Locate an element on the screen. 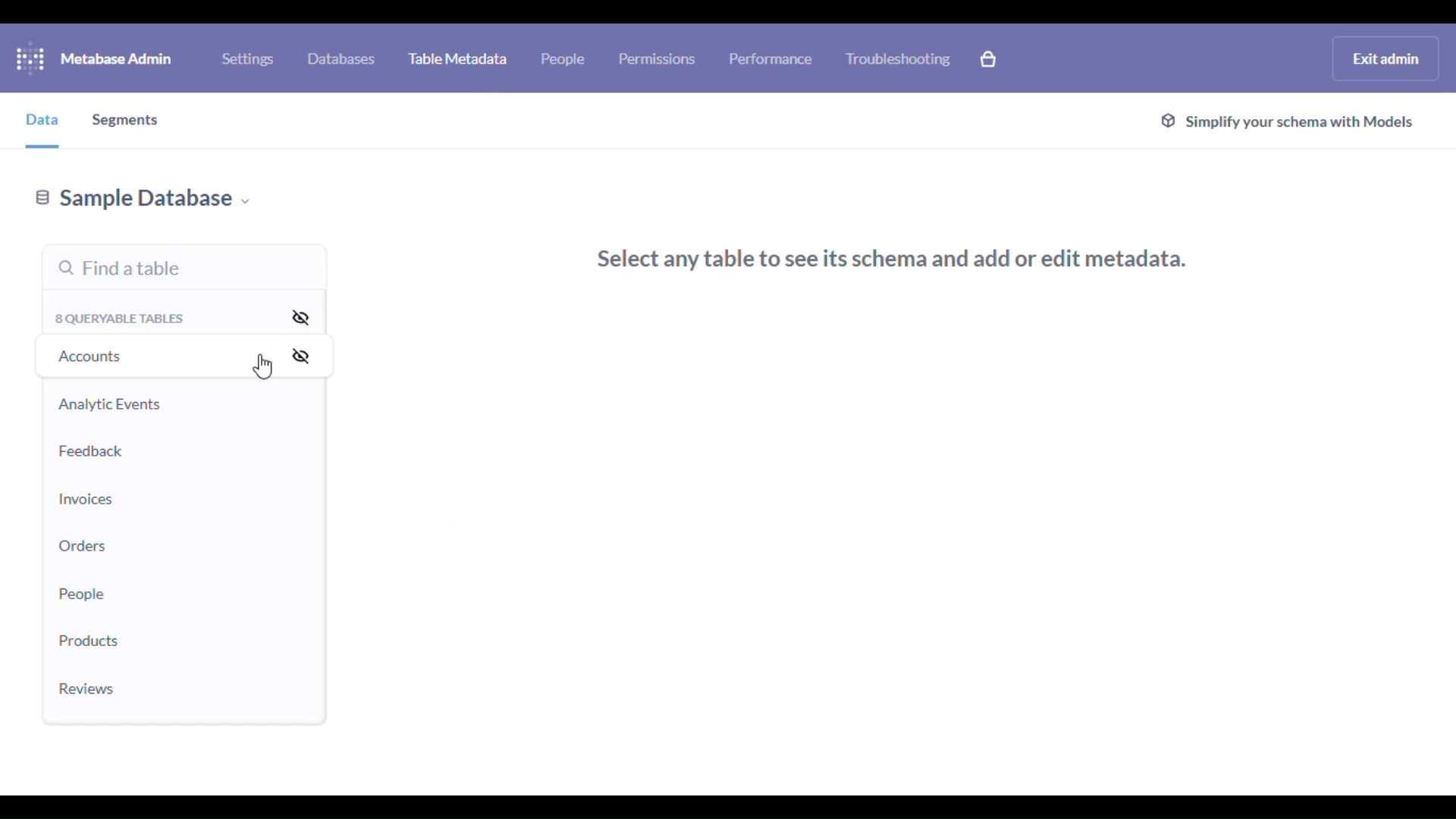  table metadata is located at coordinates (458, 58).